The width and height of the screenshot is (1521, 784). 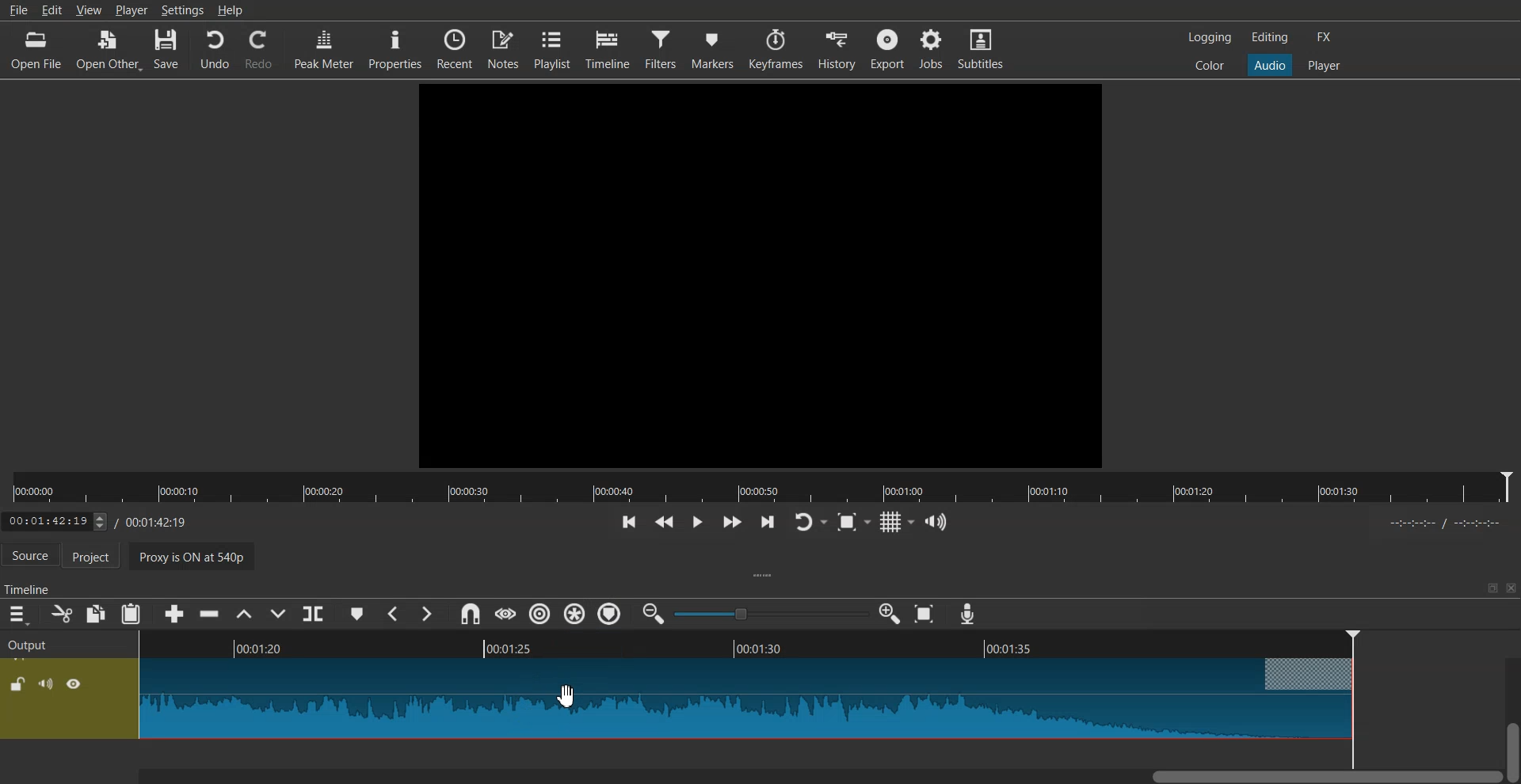 What do you see at coordinates (715, 48) in the screenshot?
I see `Markers` at bounding box center [715, 48].